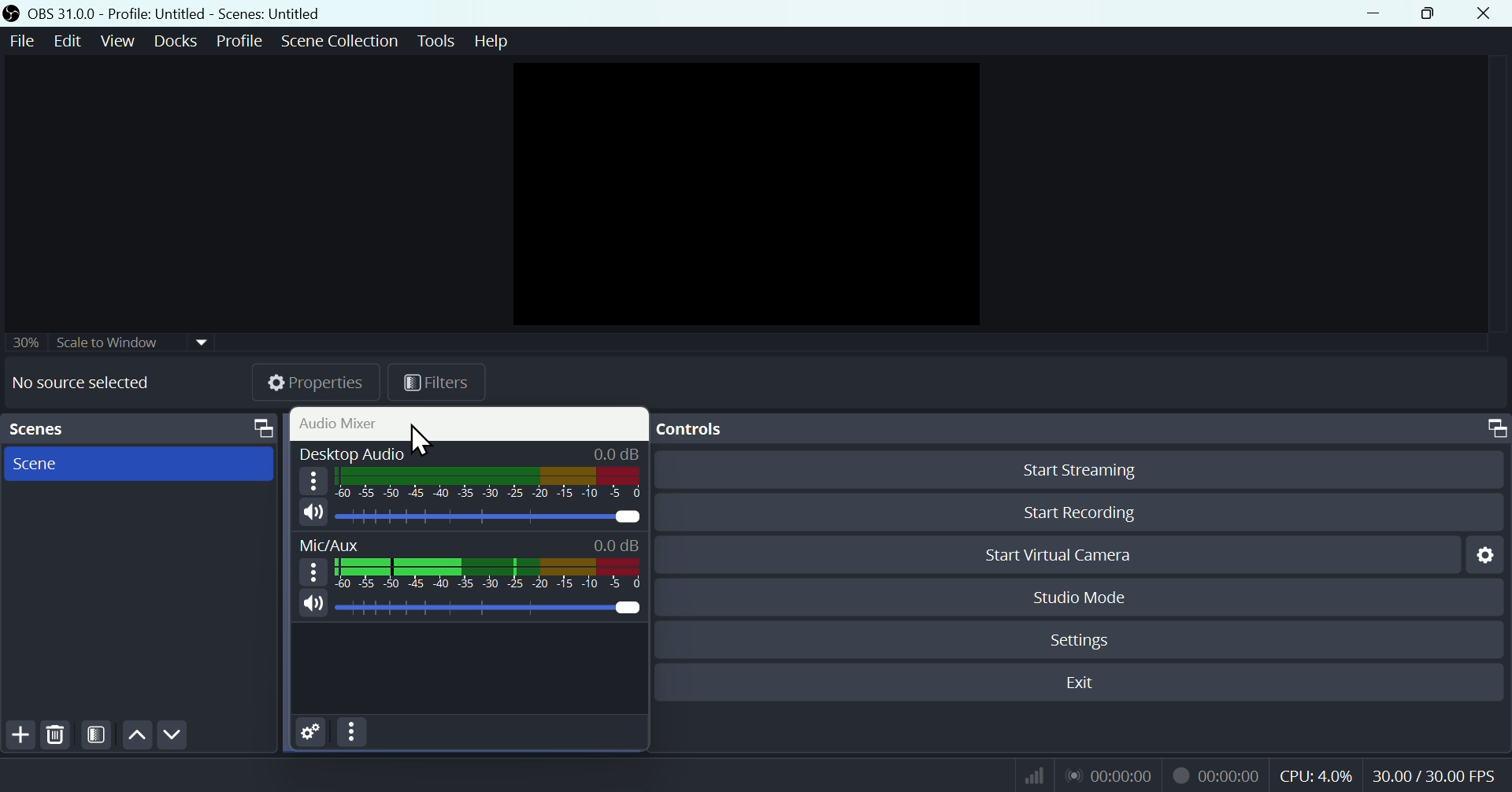  Describe the element at coordinates (172, 735) in the screenshot. I see `Down` at that location.